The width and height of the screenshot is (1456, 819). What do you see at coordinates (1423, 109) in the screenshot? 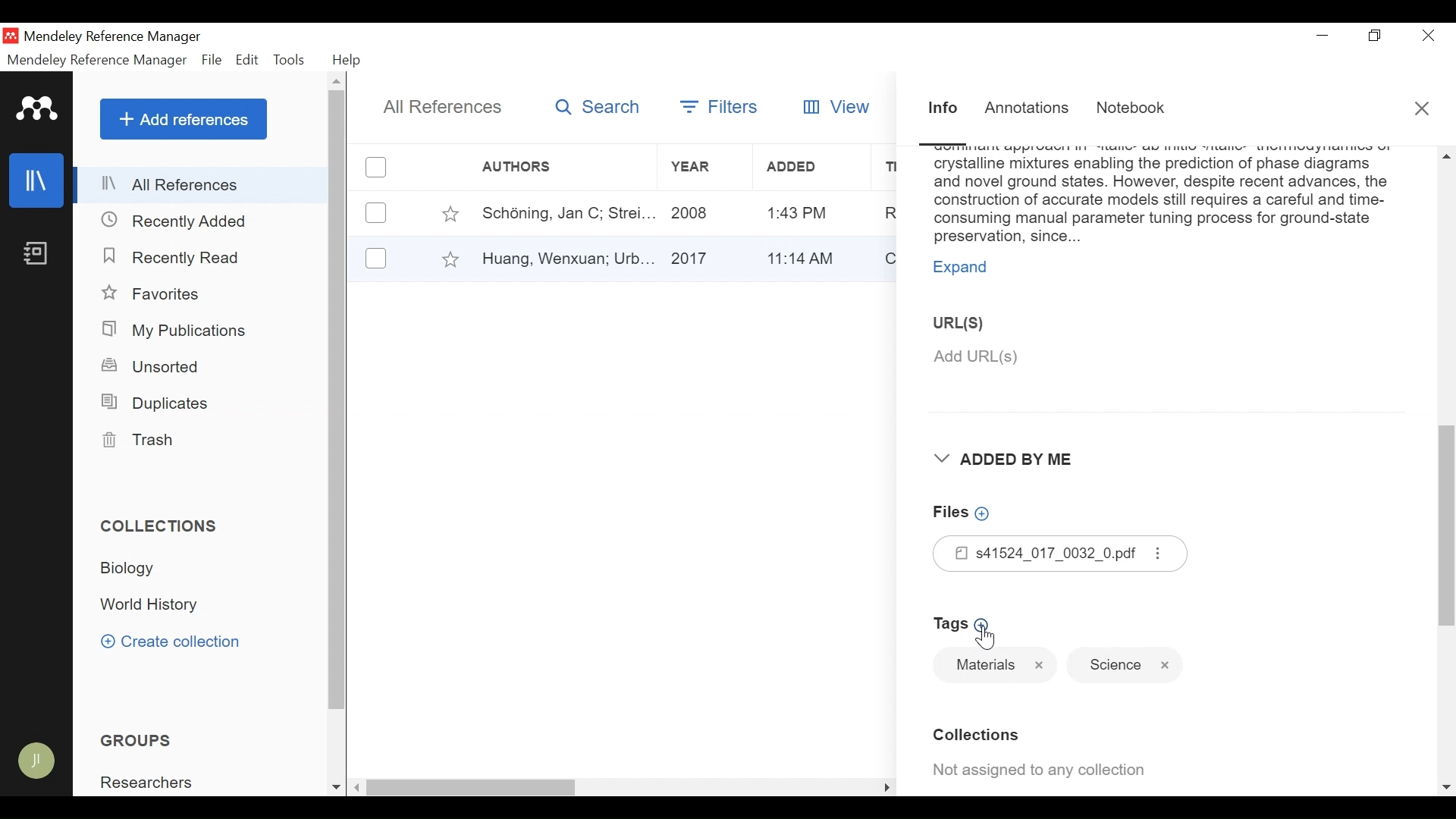
I see `Close` at bounding box center [1423, 109].